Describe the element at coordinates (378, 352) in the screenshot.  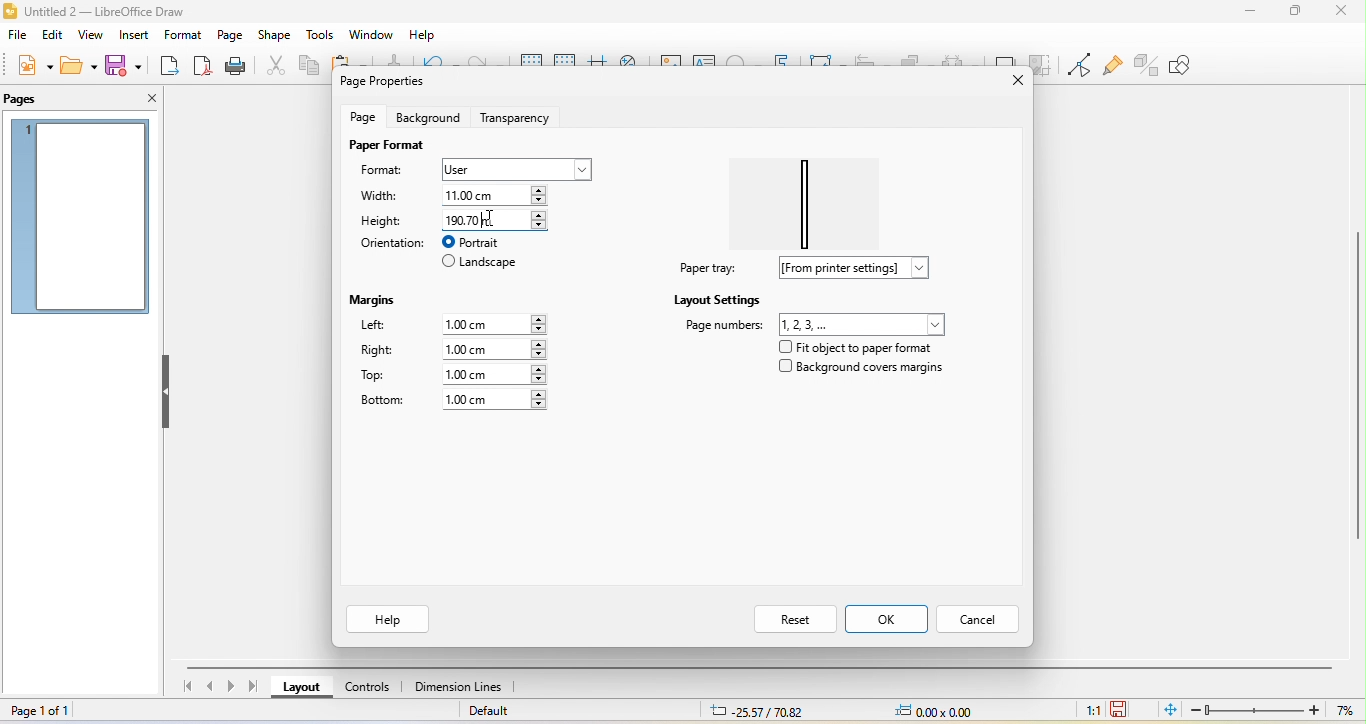
I see `right` at that location.